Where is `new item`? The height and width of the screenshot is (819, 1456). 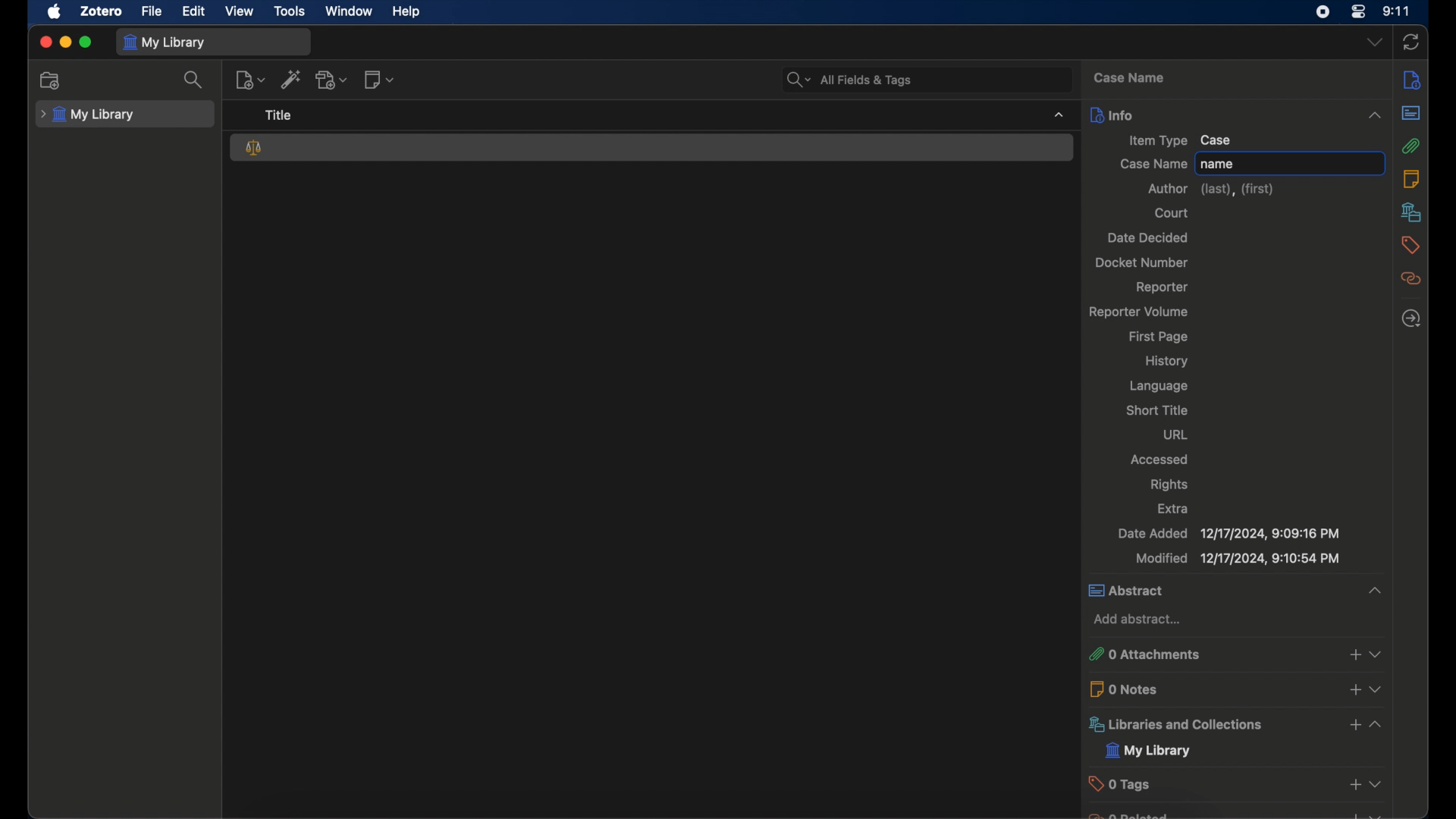
new item is located at coordinates (250, 80).